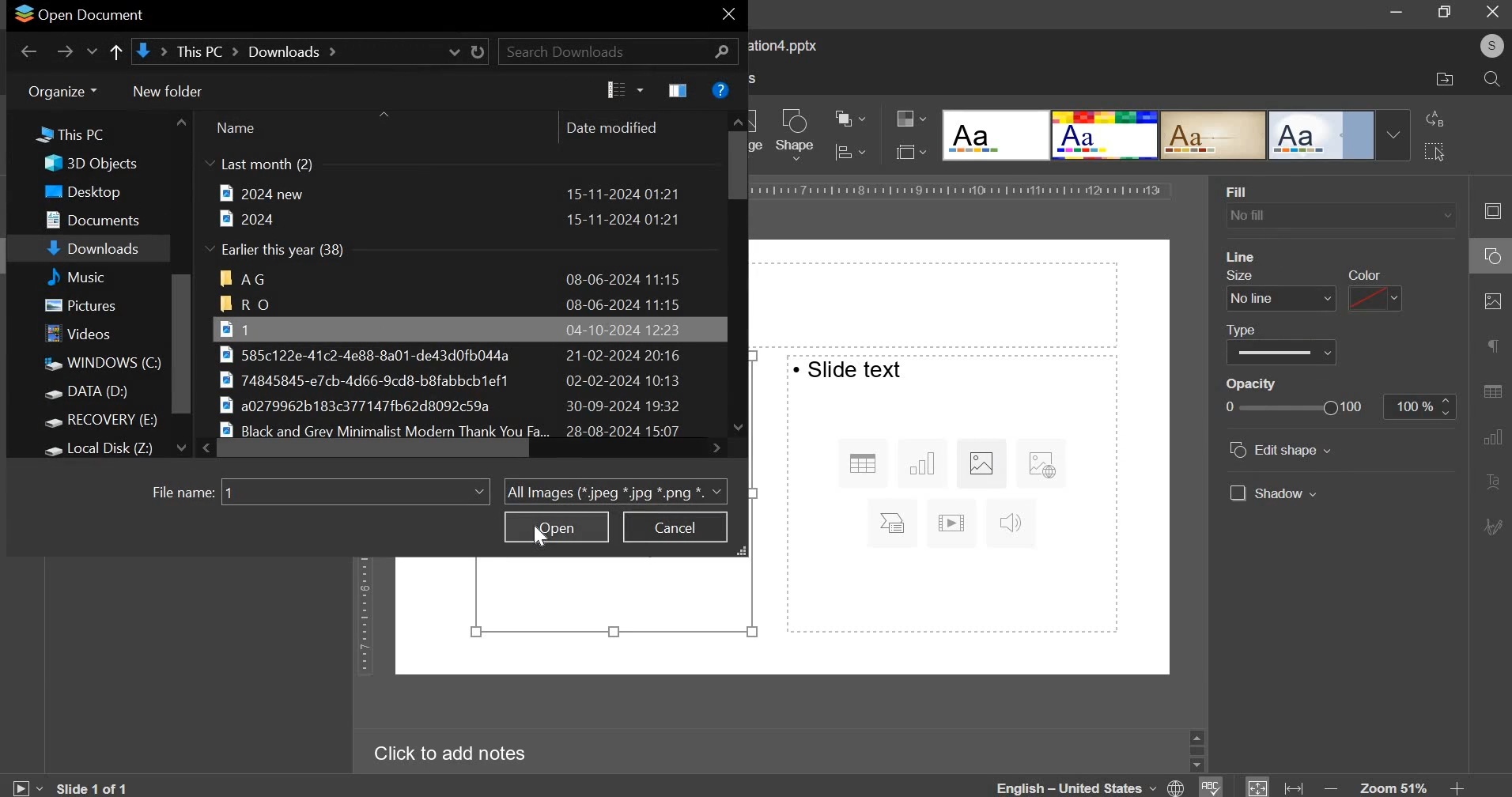  What do you see at coordinates (100, 217) in the screenshot?
I see `documents` at bounding box center [100, 217].